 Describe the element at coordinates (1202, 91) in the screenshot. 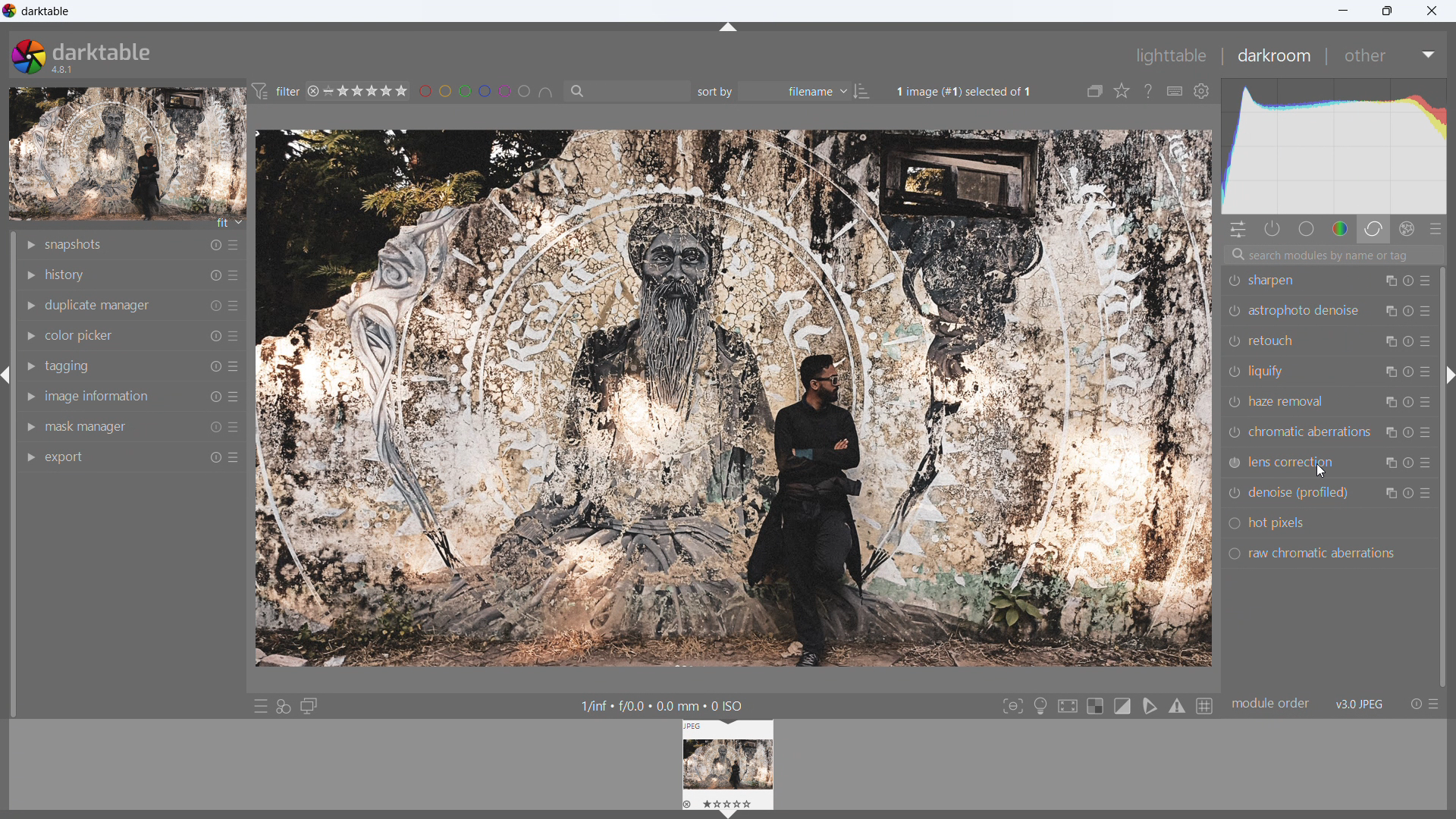

I see `global preferences` at that location.